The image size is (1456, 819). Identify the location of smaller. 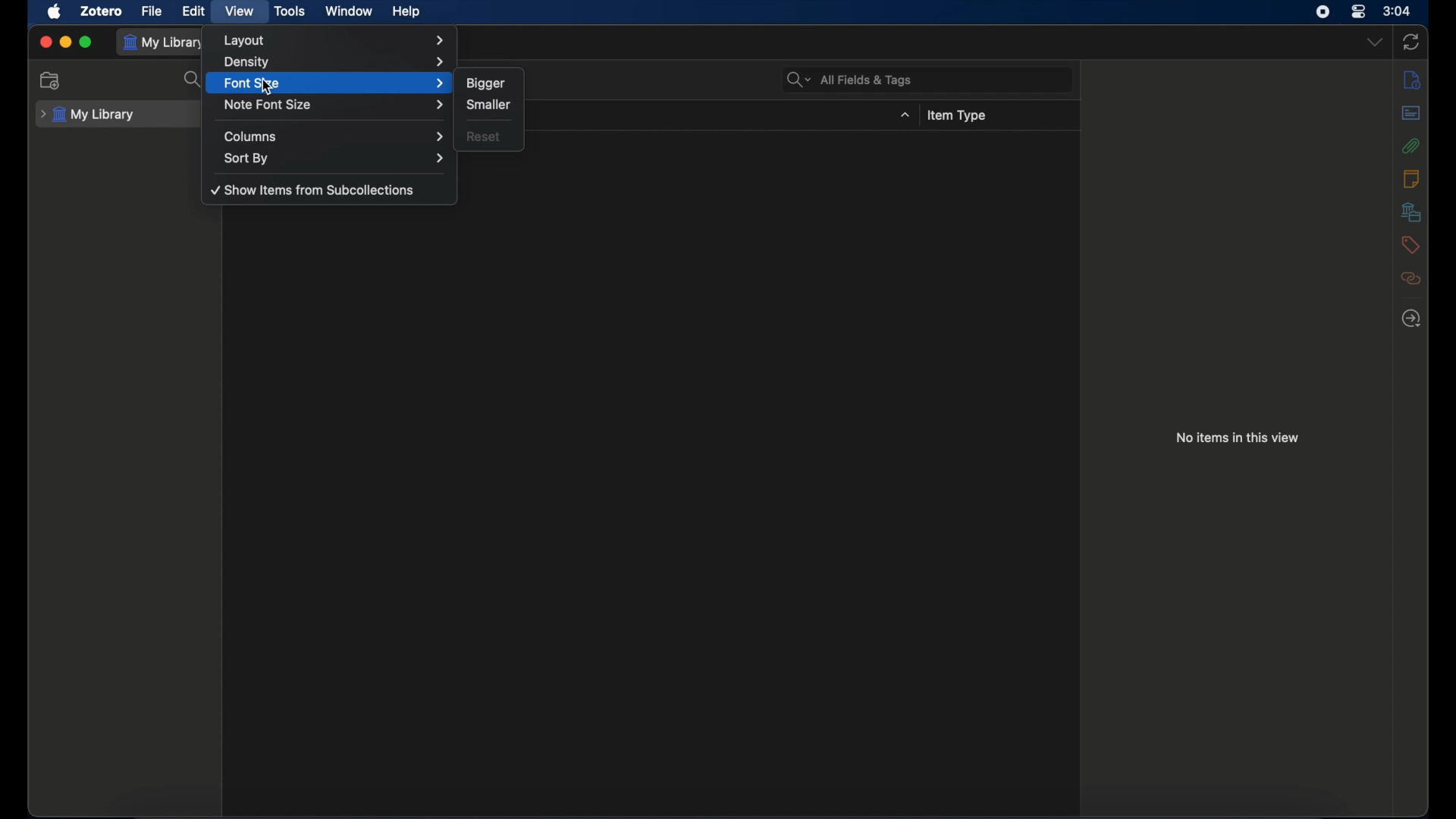
(490, 105).